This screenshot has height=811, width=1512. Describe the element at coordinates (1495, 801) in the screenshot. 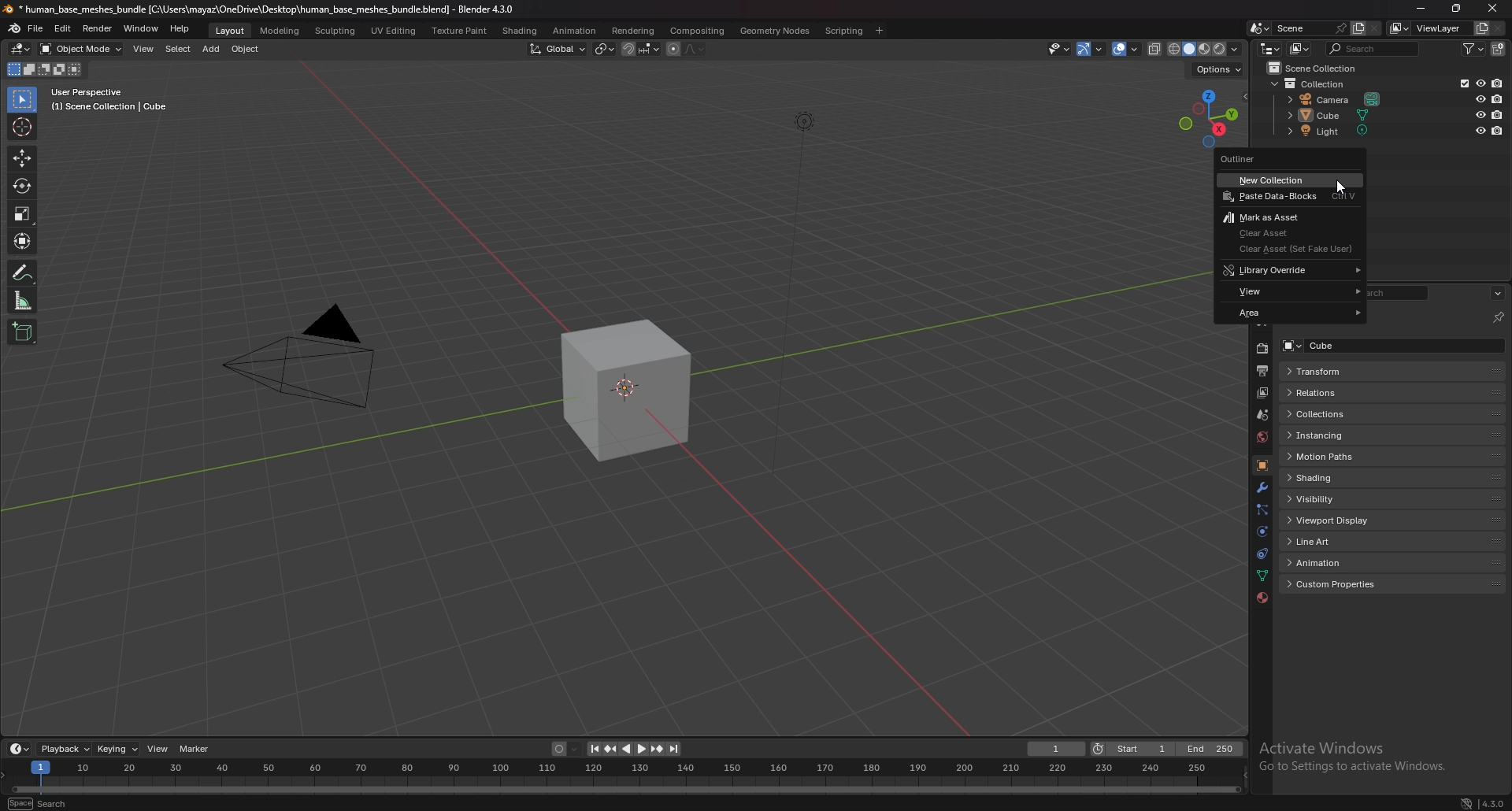

I see `version` at that location.